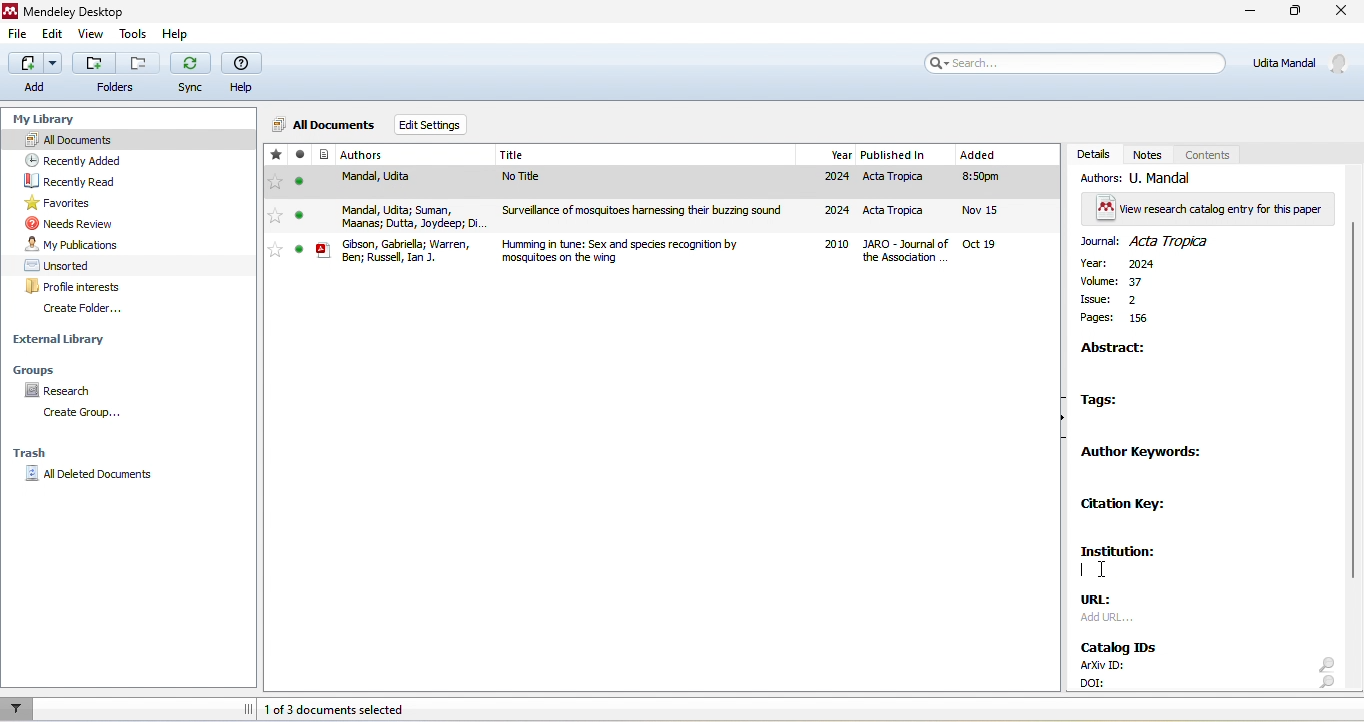 This screenshot has width=1364, height=722. What do you see at coordinates (67, 391) in the screenshot?
I see `research` at bounding box center [67, 391].